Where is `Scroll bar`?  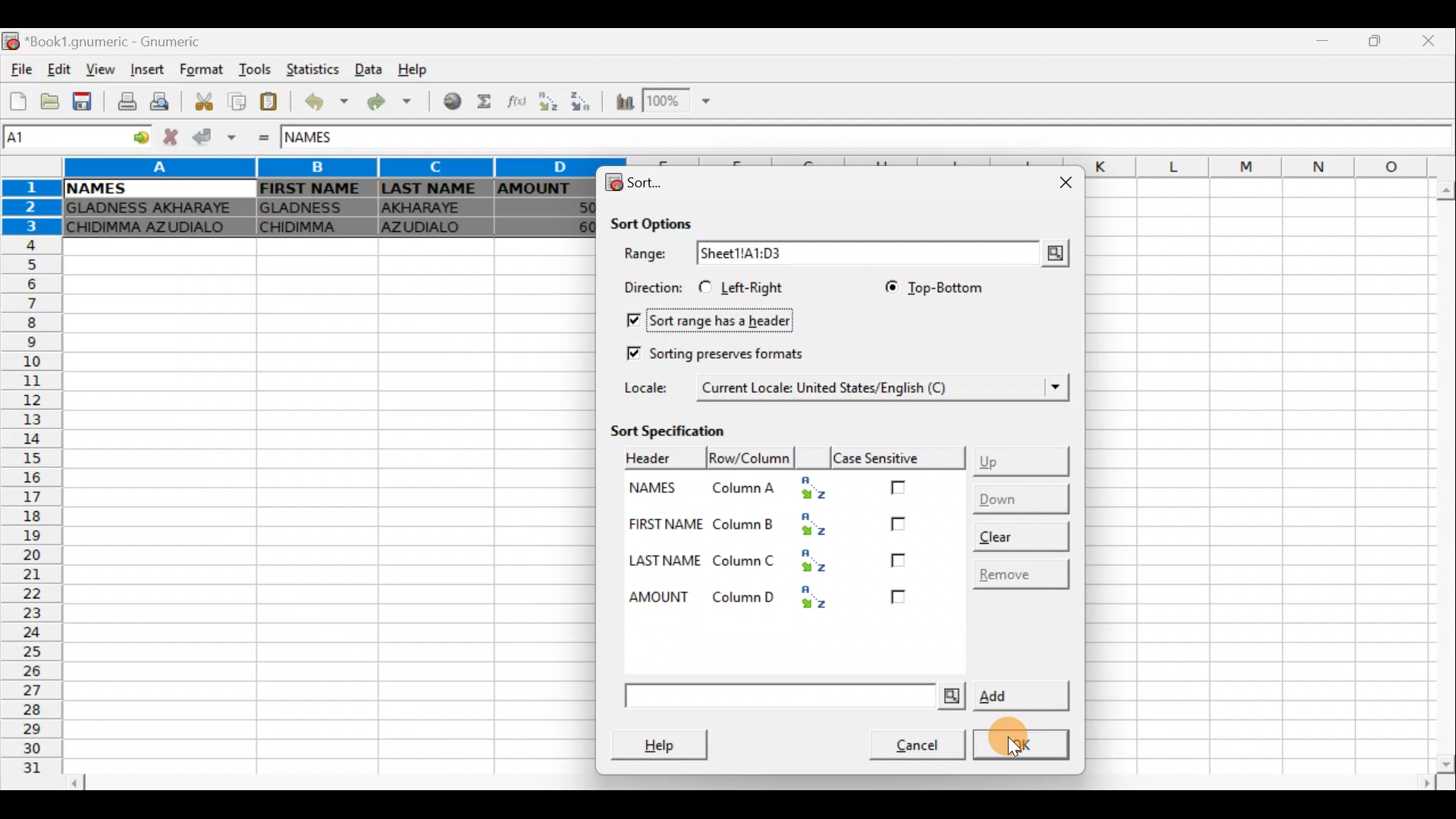
Scroll bar is located at coordinates (1437, 475).